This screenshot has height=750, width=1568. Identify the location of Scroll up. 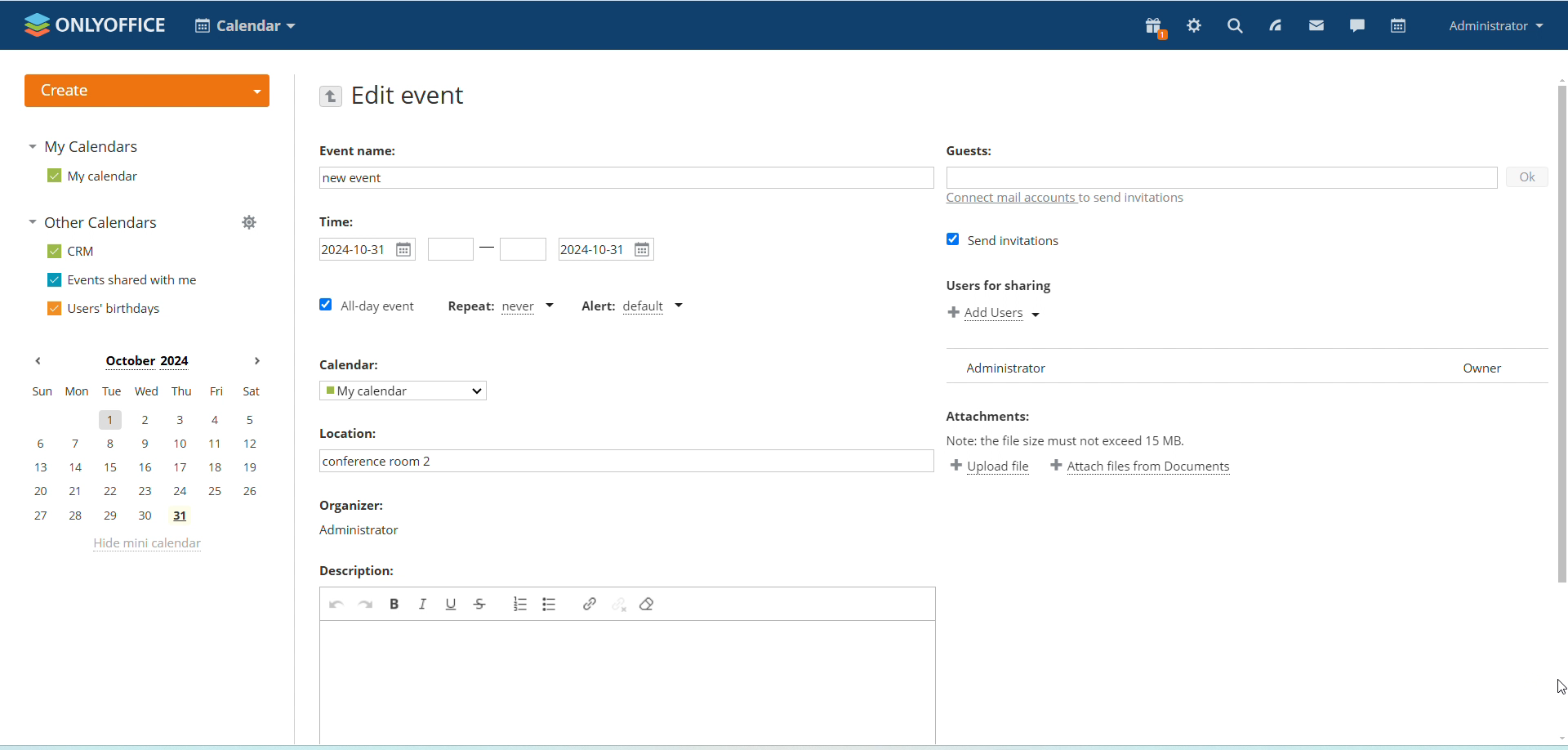
(1558, 78).